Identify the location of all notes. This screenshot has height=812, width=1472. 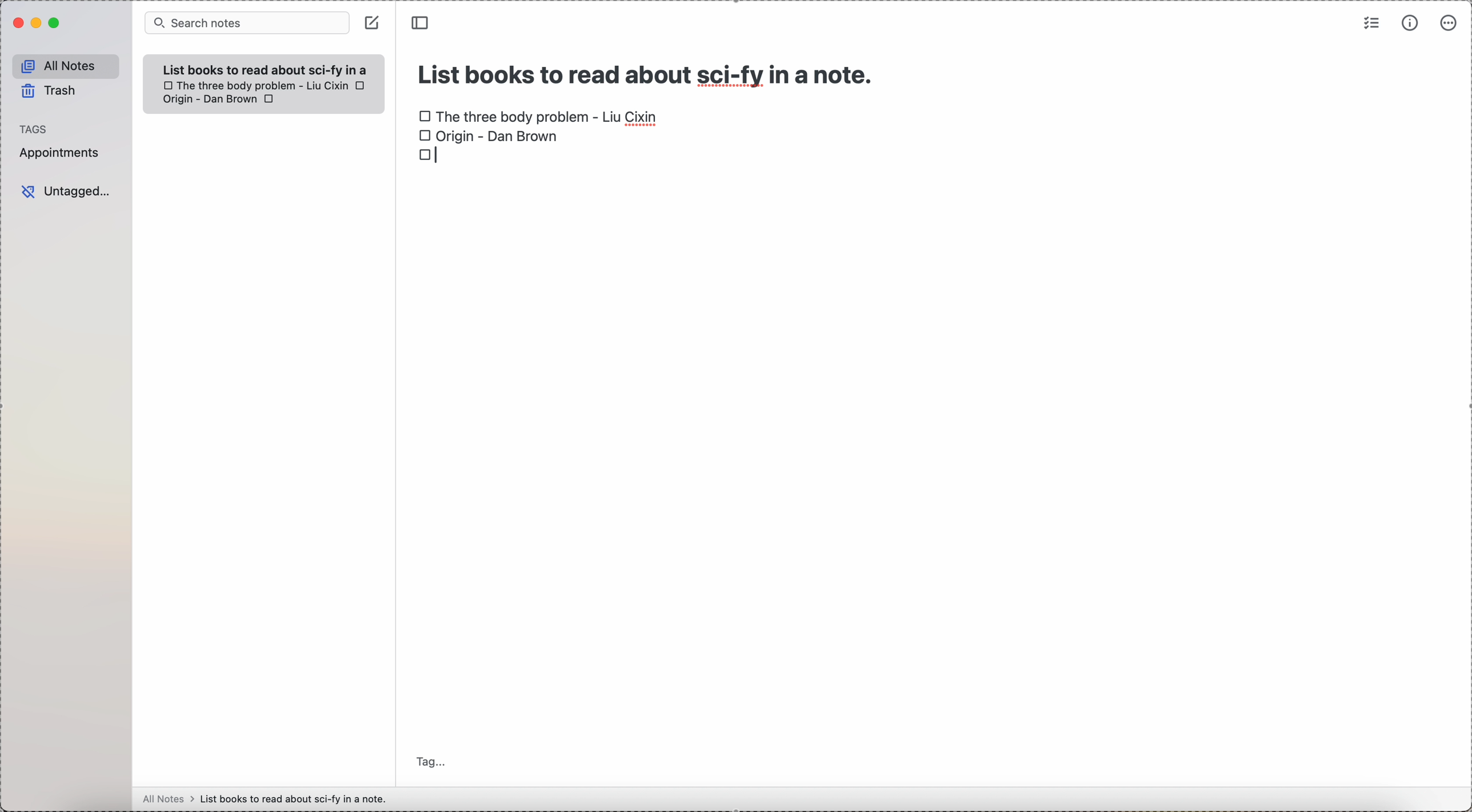
(63, 64).